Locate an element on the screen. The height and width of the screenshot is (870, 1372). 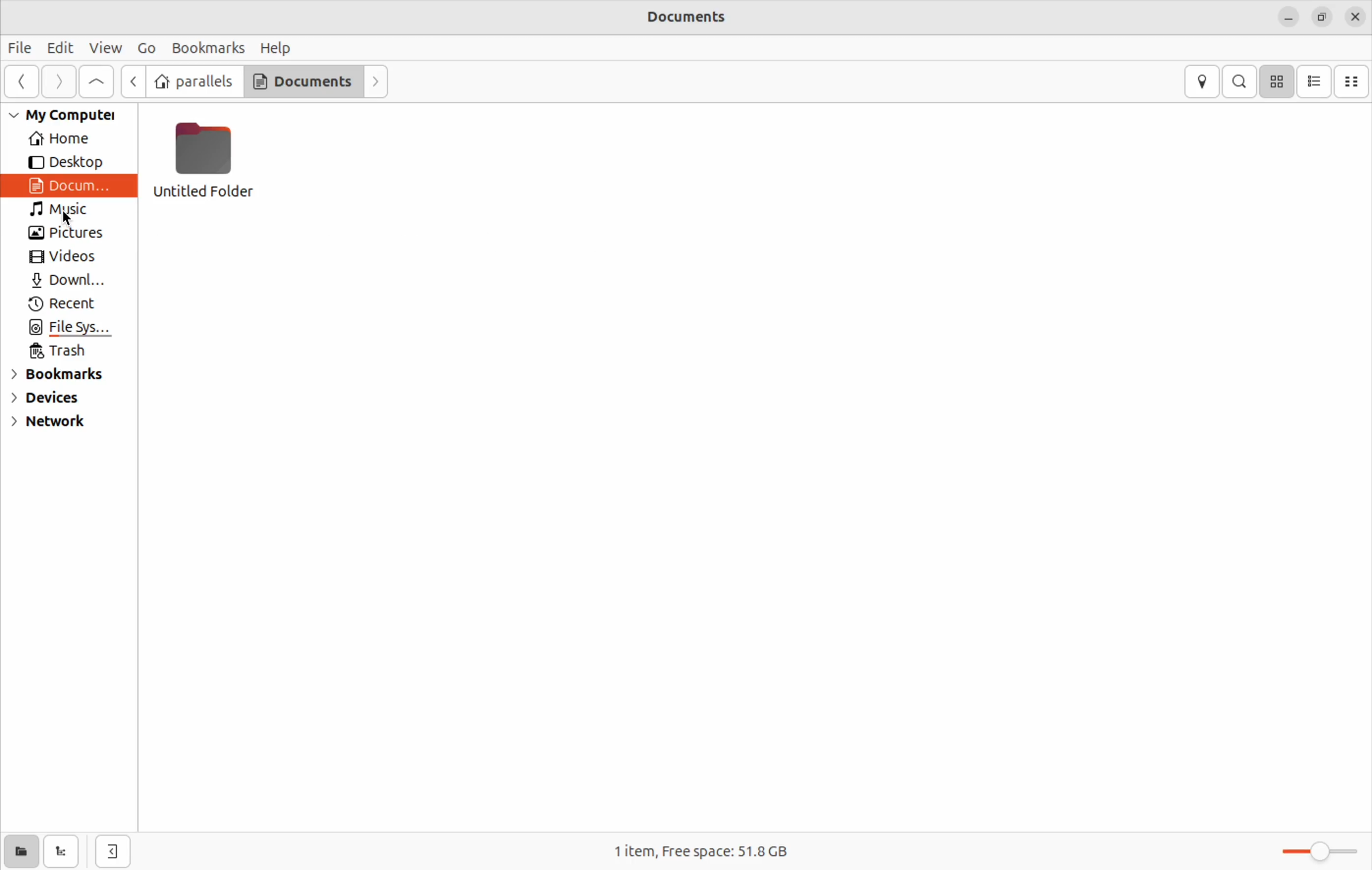
Search is located at coordinates (1240, 80).